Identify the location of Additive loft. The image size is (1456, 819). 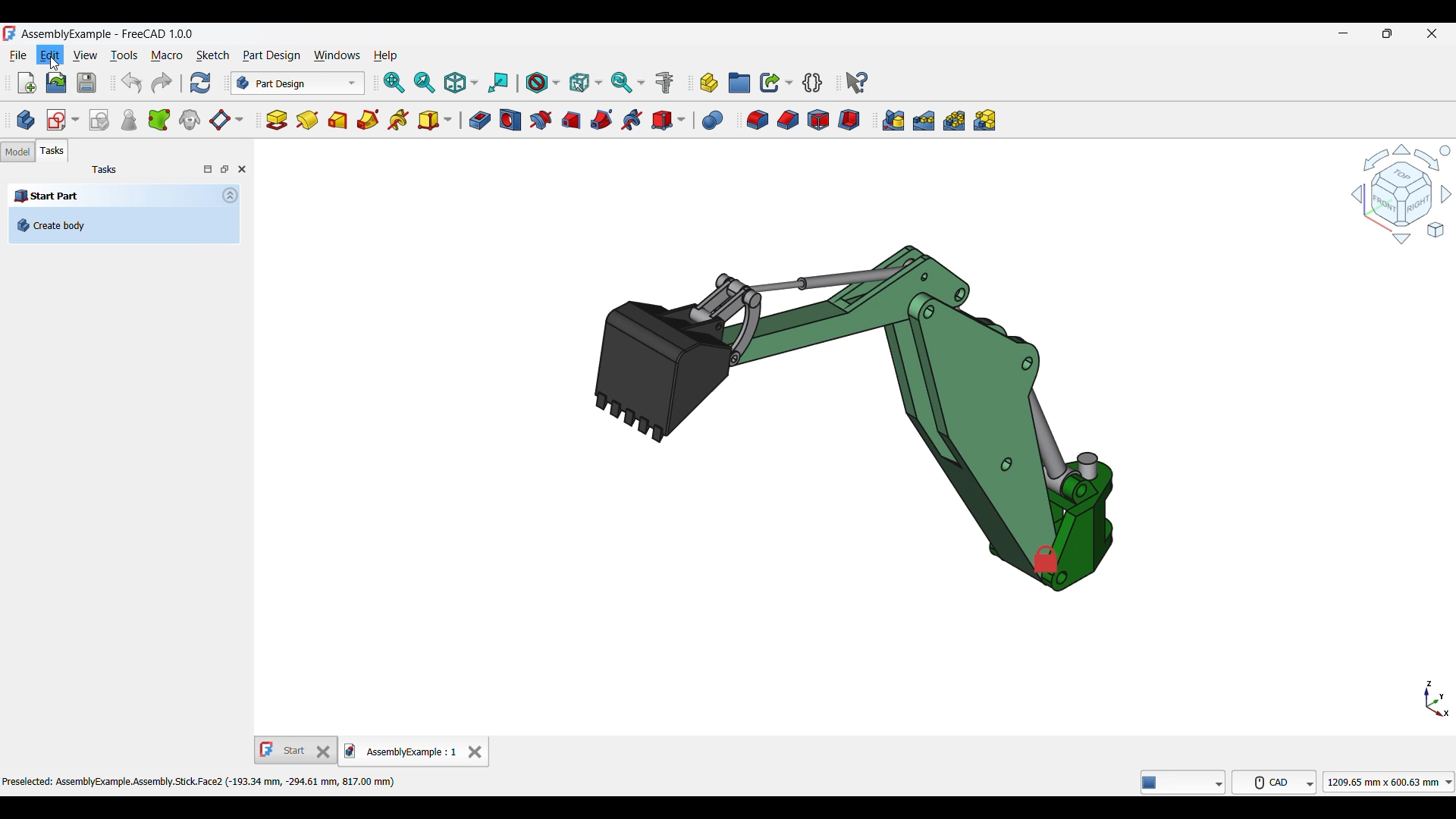
(337, 121).